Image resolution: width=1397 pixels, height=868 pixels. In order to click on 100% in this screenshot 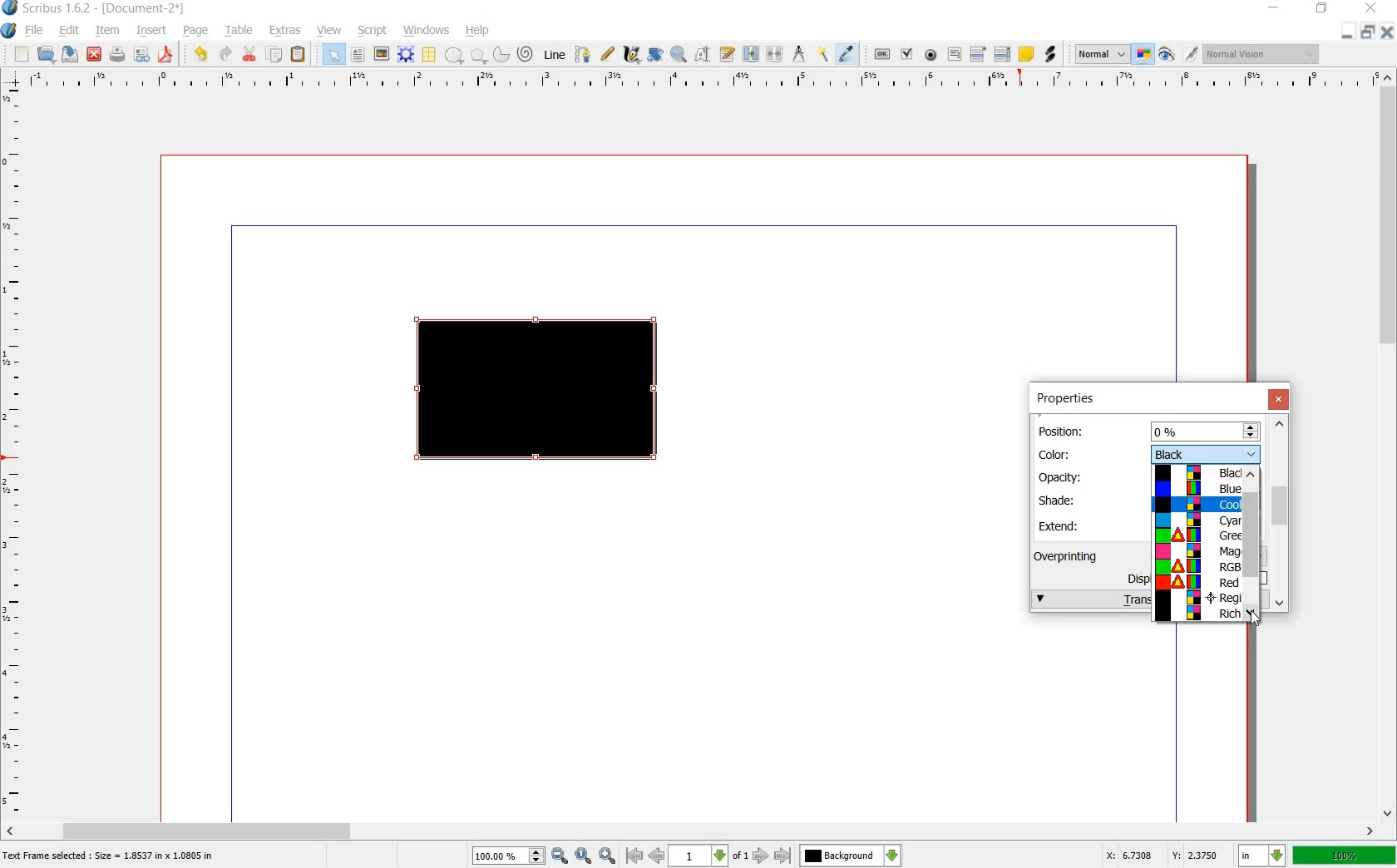, I will do `click(1345, 855)`.